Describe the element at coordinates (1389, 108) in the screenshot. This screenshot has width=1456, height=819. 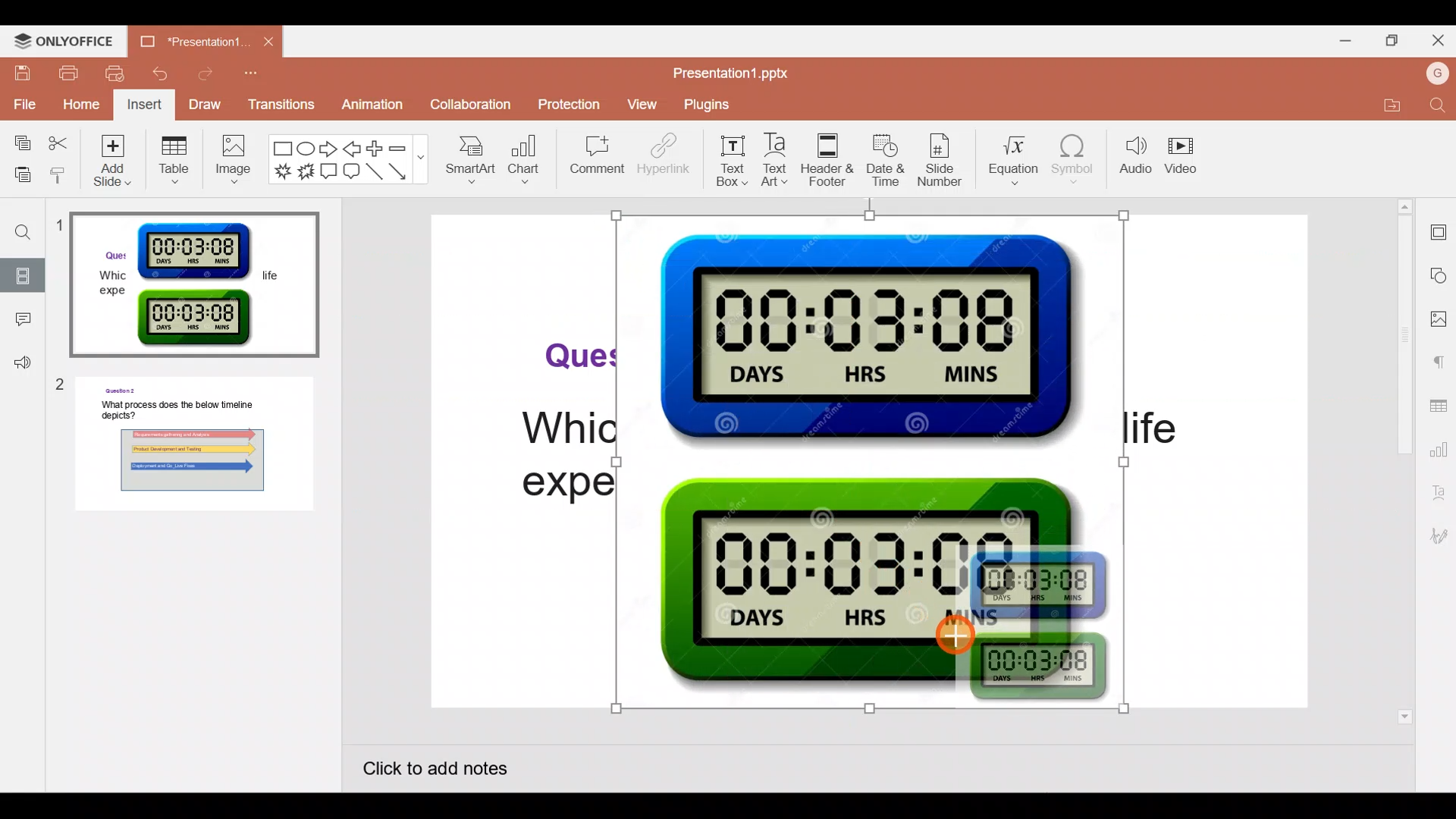
I see `Open file location` at that location.